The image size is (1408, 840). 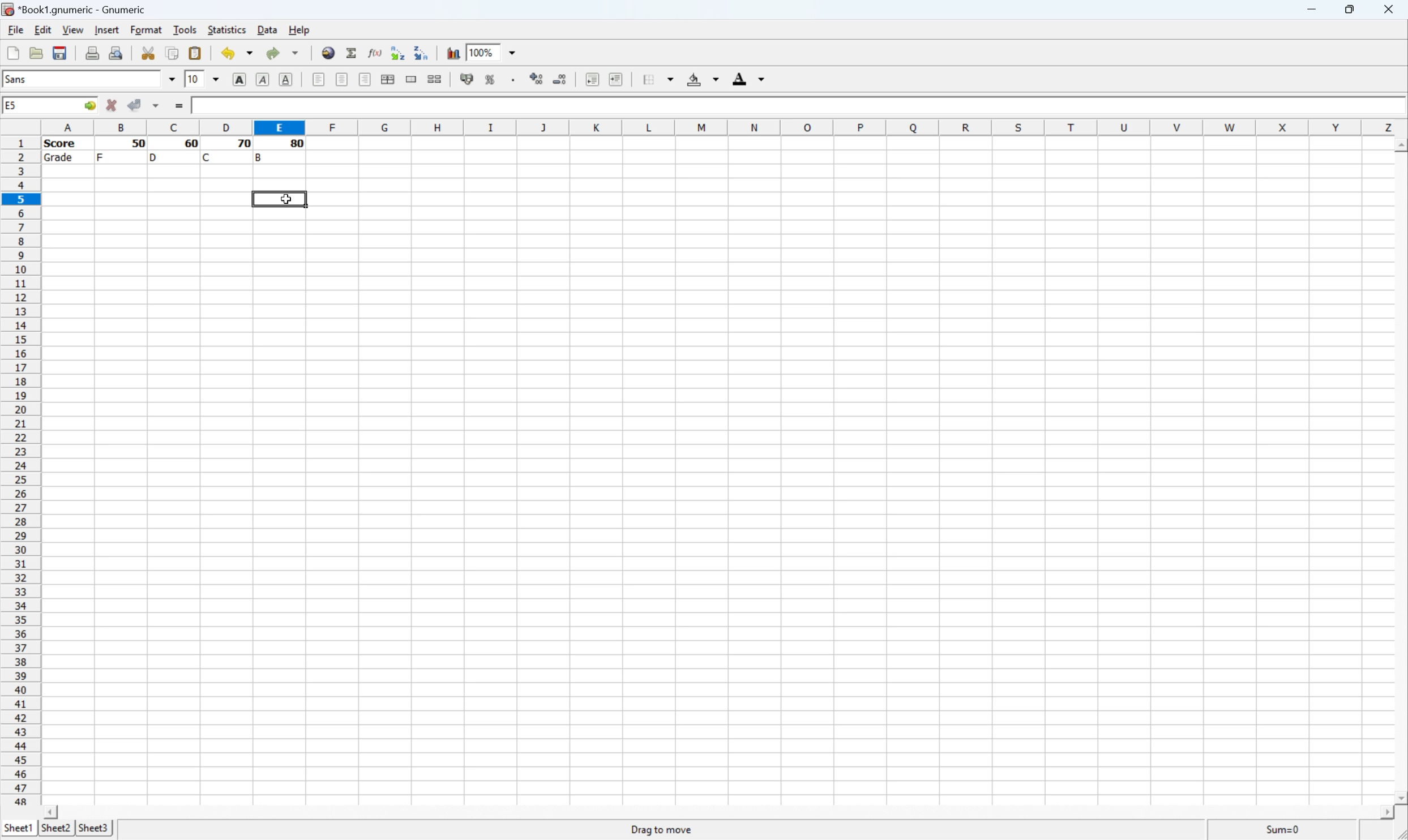 What do you see at coordinates (1286, 830) in the screenshot?
I see `Sum=0` at bounding box center [1286, 830].